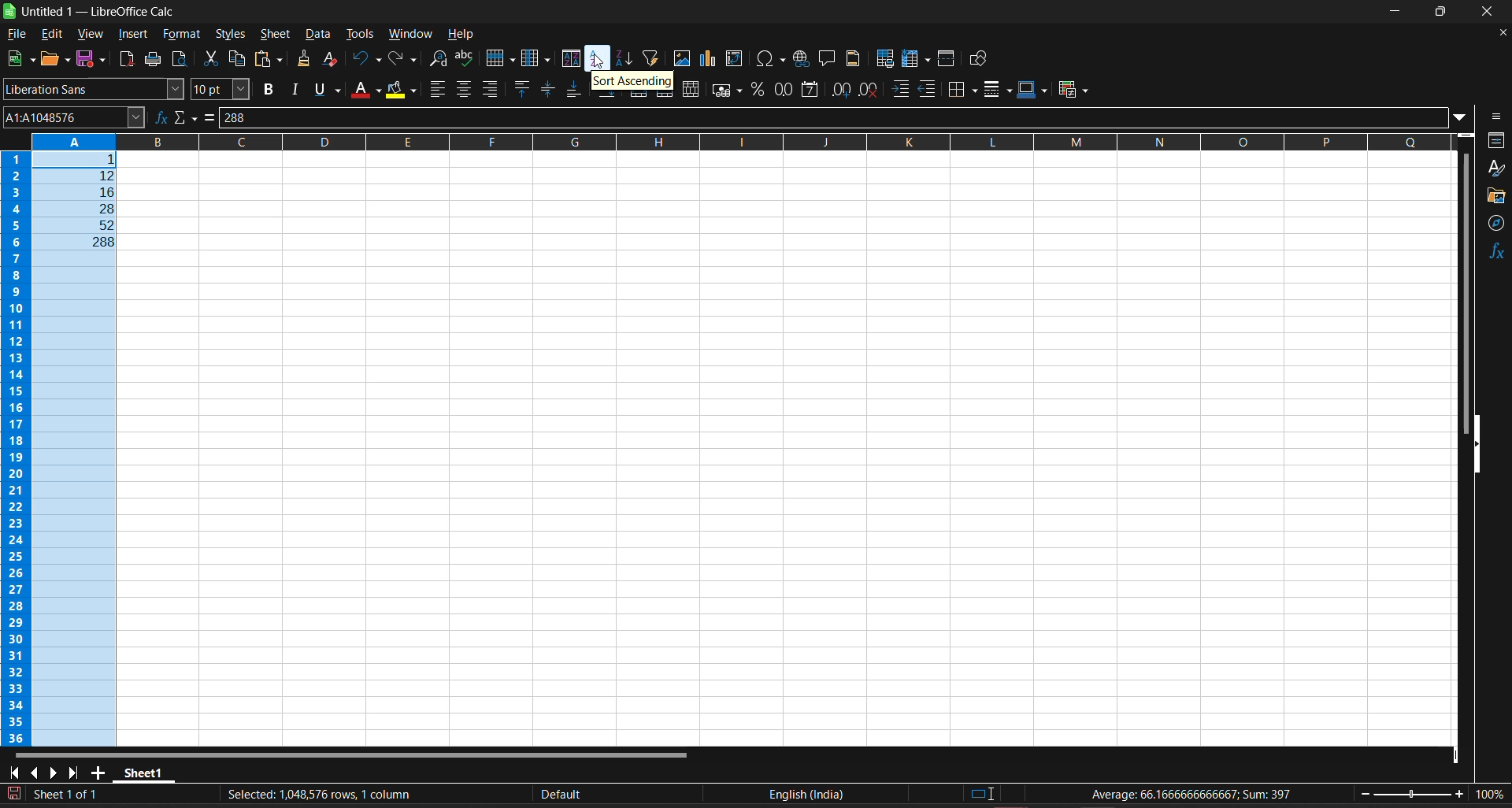 Image resolution: width=1512 pixels, height=808 pixels. What do you see at coordinates (691, 87) in the screenshot?
I see `unmerge cells` at bounding box center [691, 87].